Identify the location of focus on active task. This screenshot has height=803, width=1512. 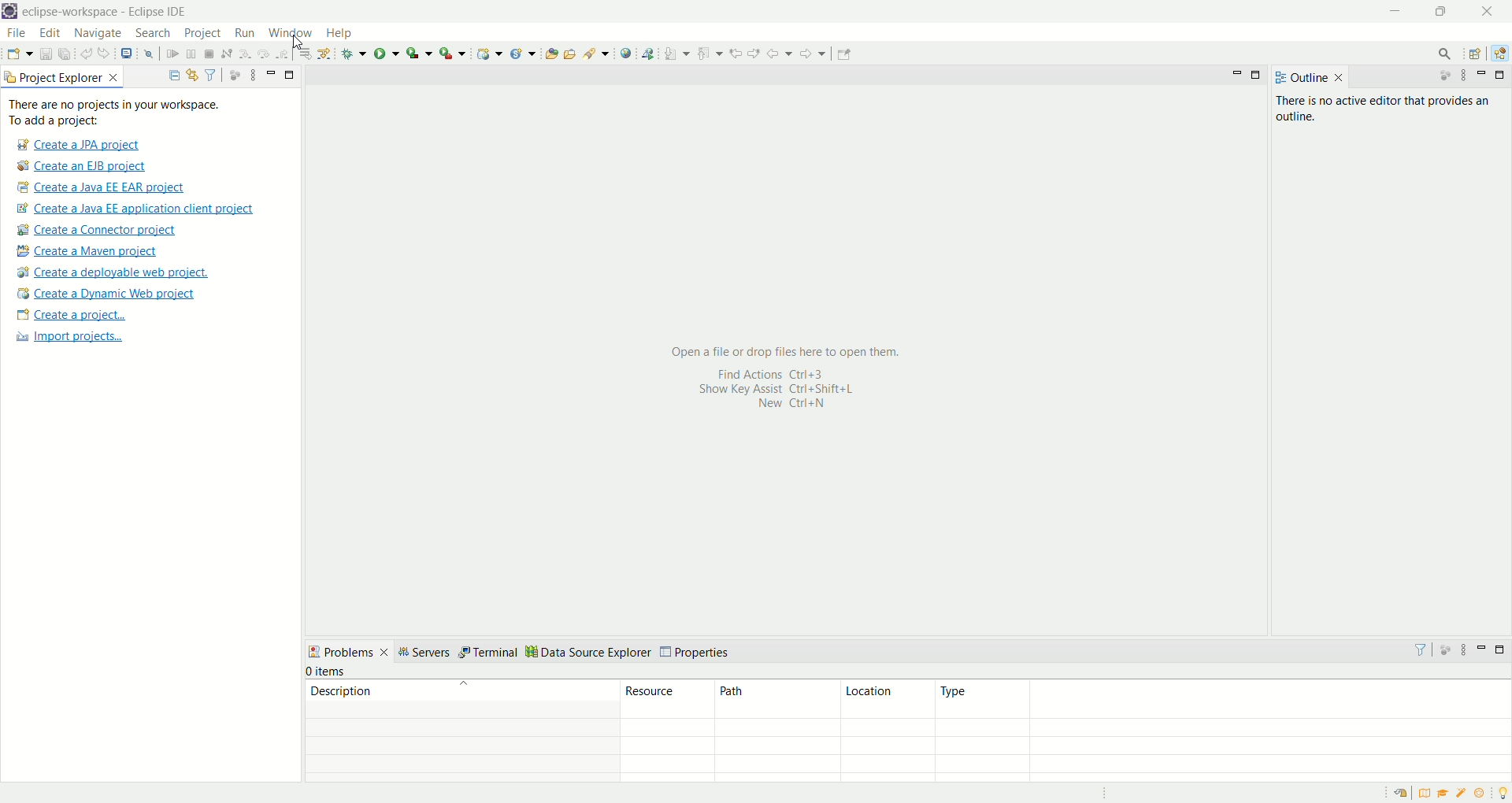
(1437, 76).